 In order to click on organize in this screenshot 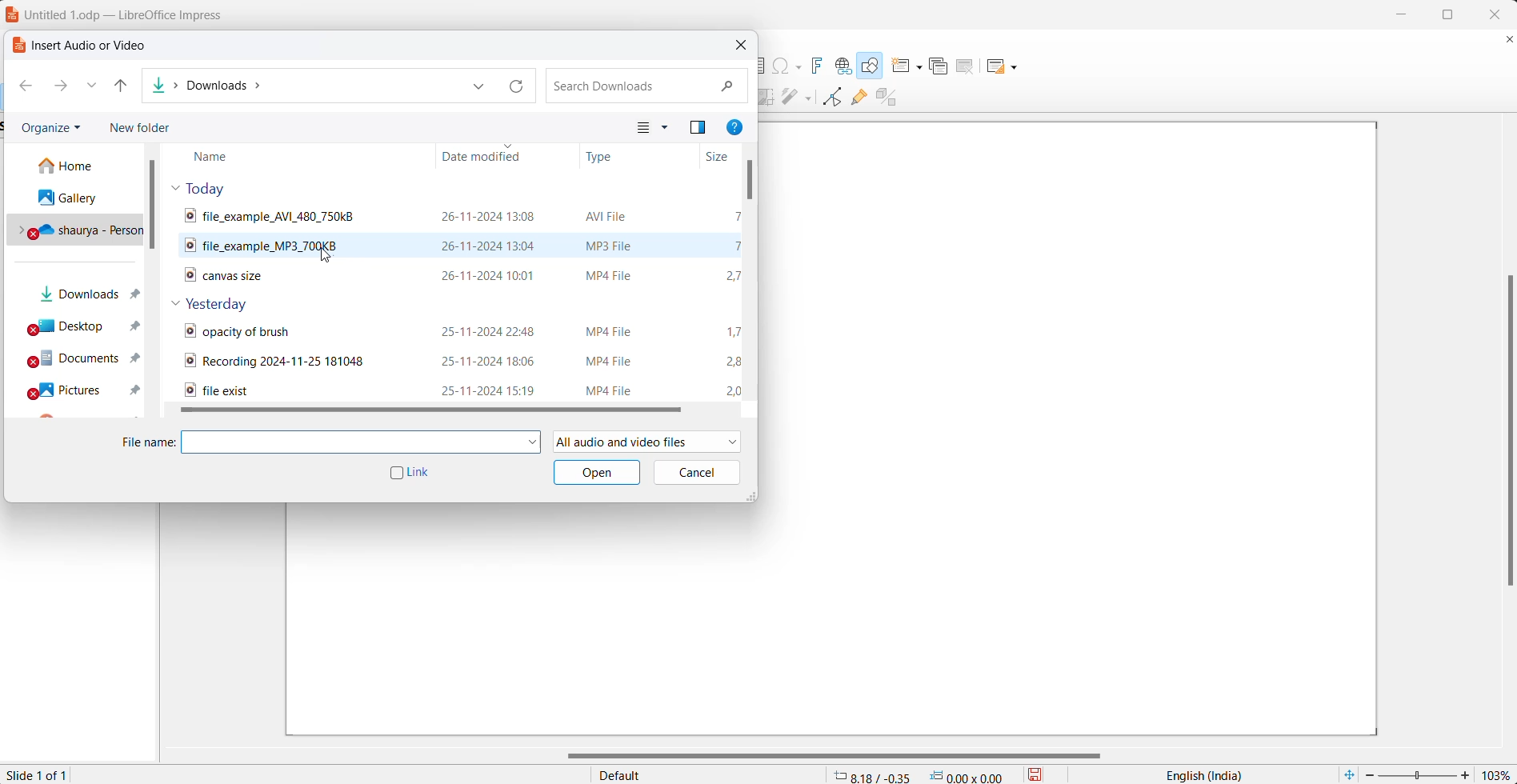, I will do `click(50, 128)`.